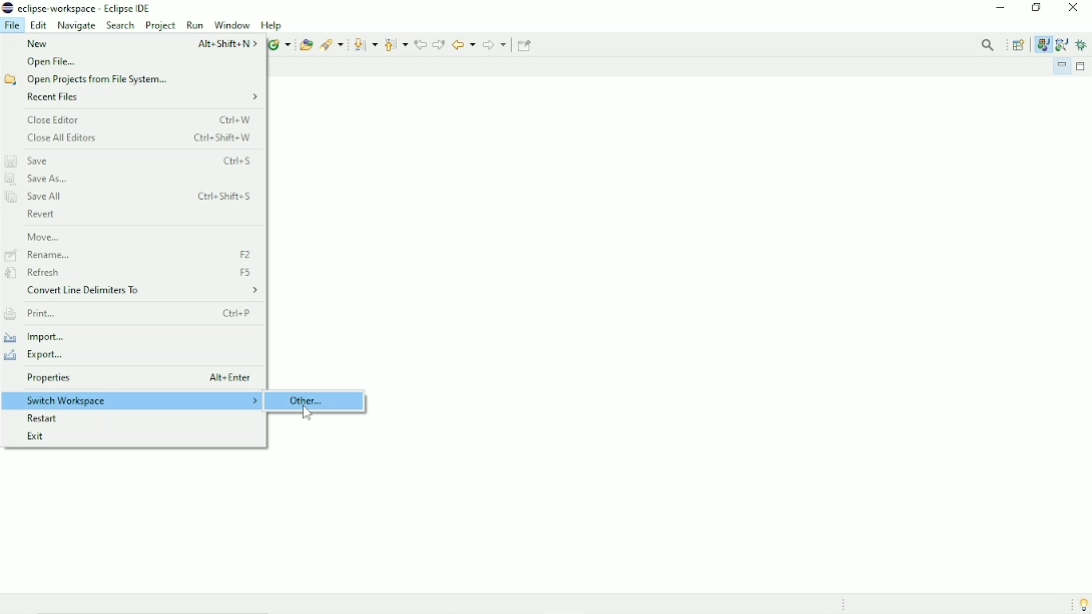  What do you see at coordinates (1034, 8) in the screenshot?
I see `Restore down` at bounding box center [1034, 8].